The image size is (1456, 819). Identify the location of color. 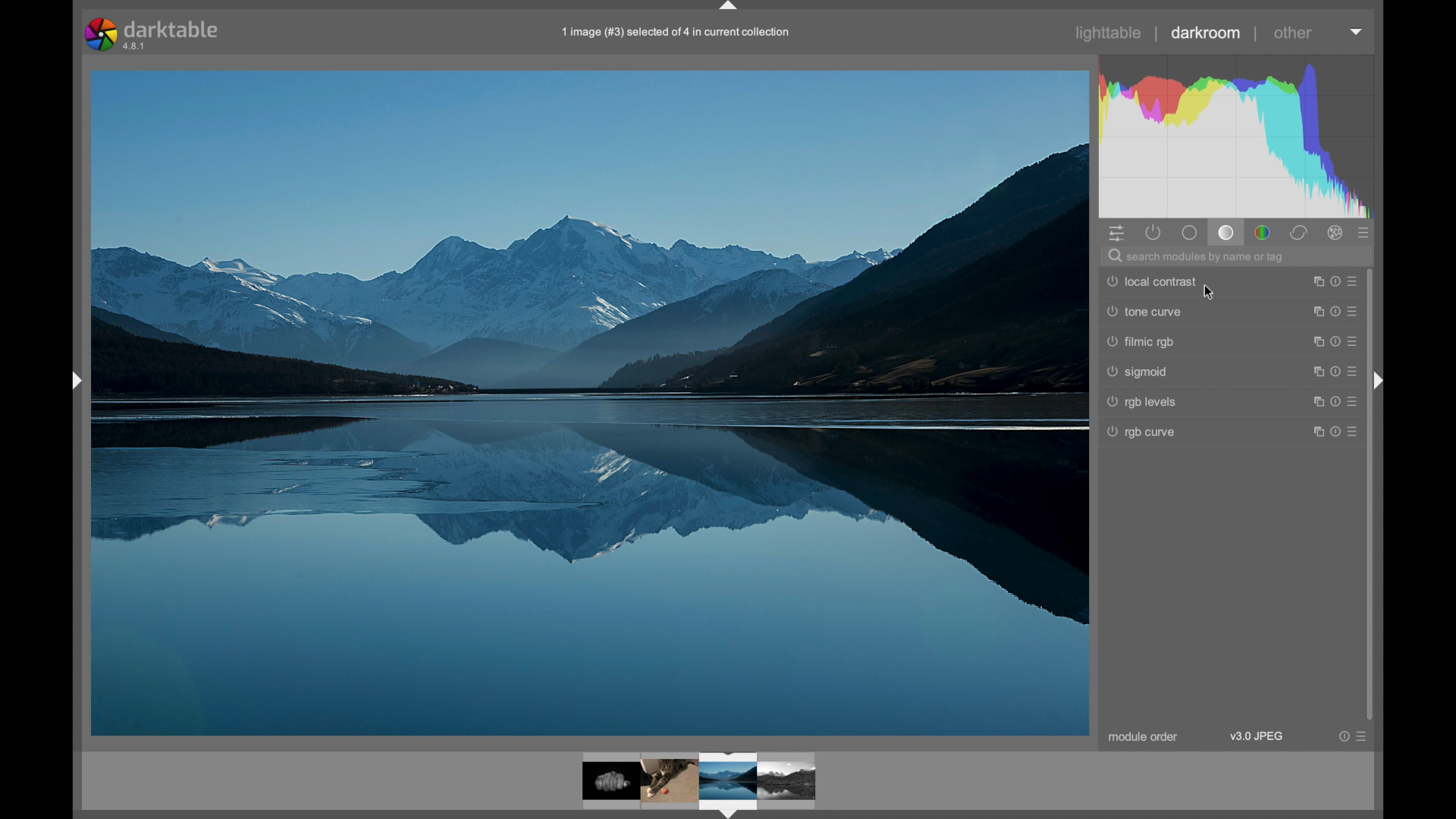
(1262, 233).